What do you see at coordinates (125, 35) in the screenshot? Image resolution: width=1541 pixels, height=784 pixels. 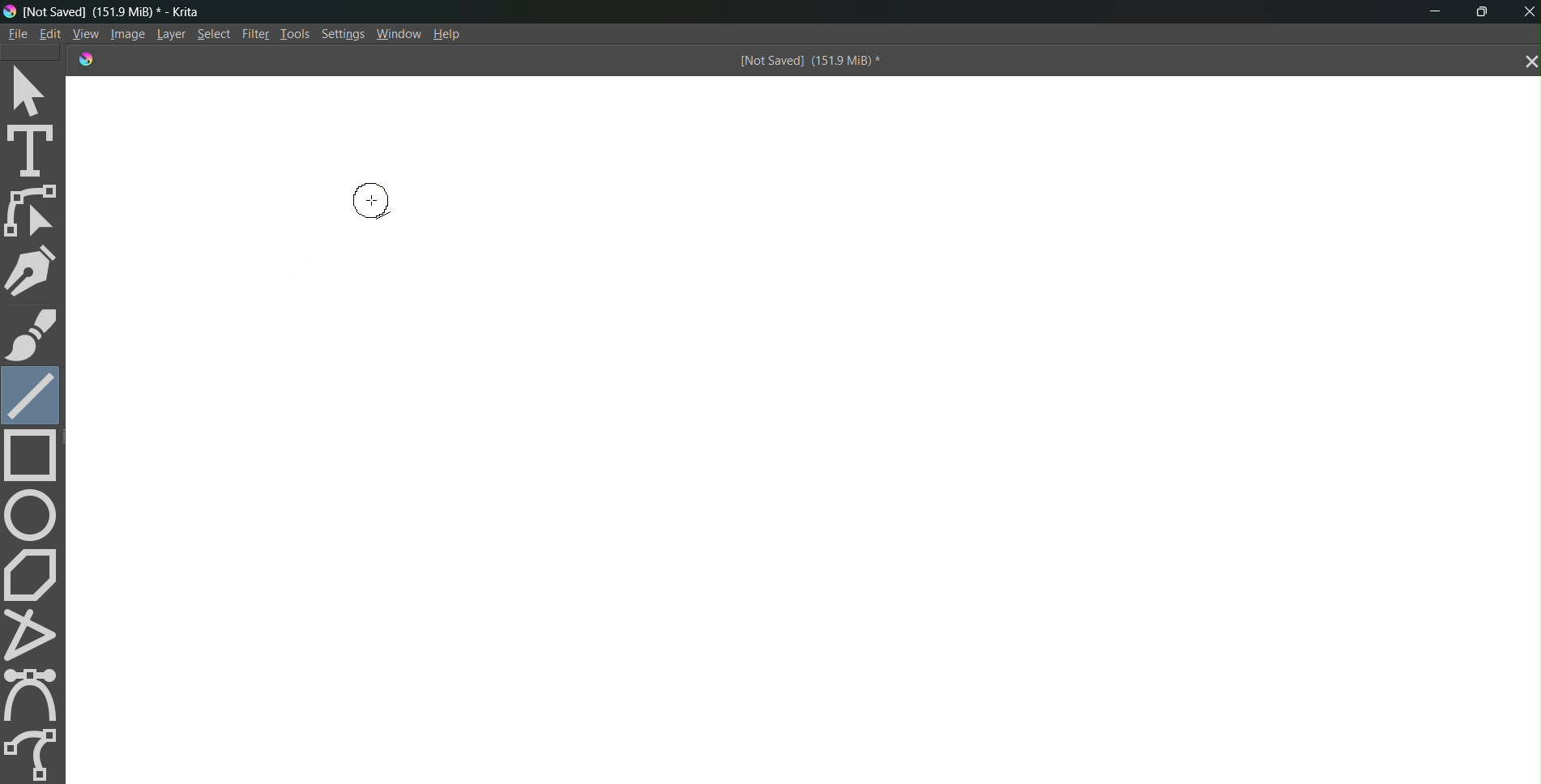 I see `Image` at bounding box center [125, 35].